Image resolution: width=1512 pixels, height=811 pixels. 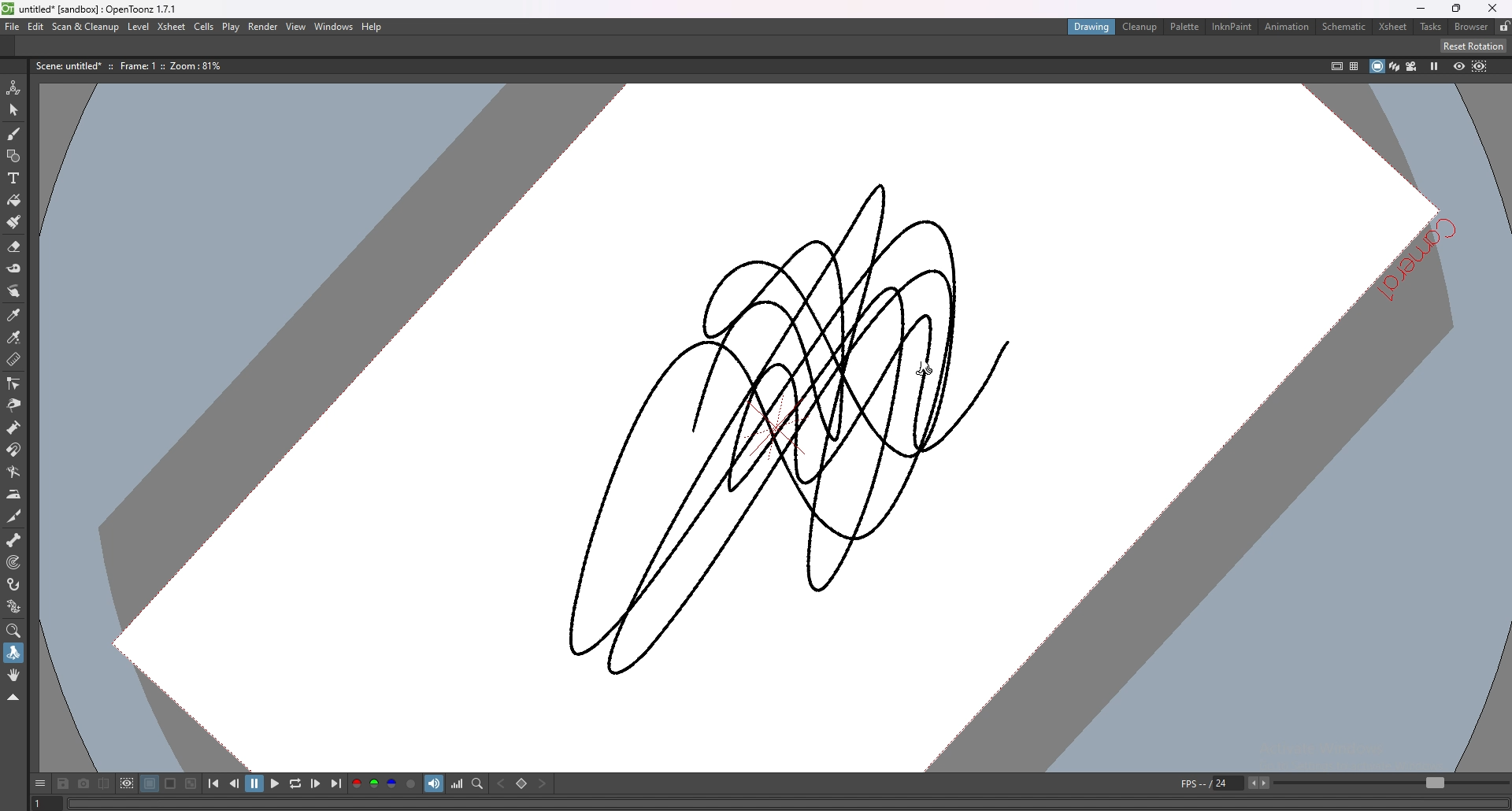 What do you see at coordinates (13, 133) in the screenshot?
I see `brush tool` at bounding box center [13, 133].